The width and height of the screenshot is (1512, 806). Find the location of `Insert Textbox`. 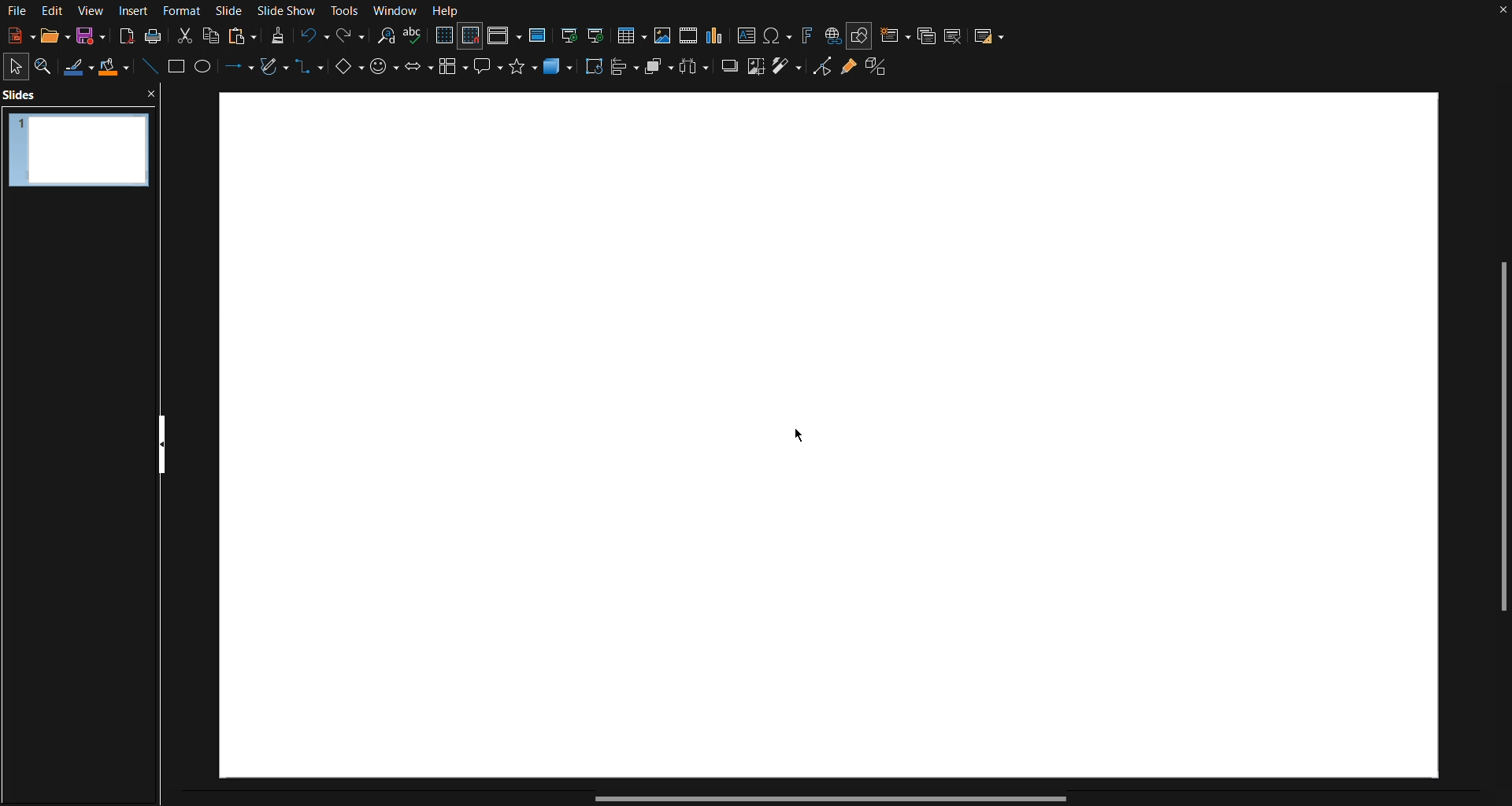

Insert Textbox is located at coordinates (747, 35).